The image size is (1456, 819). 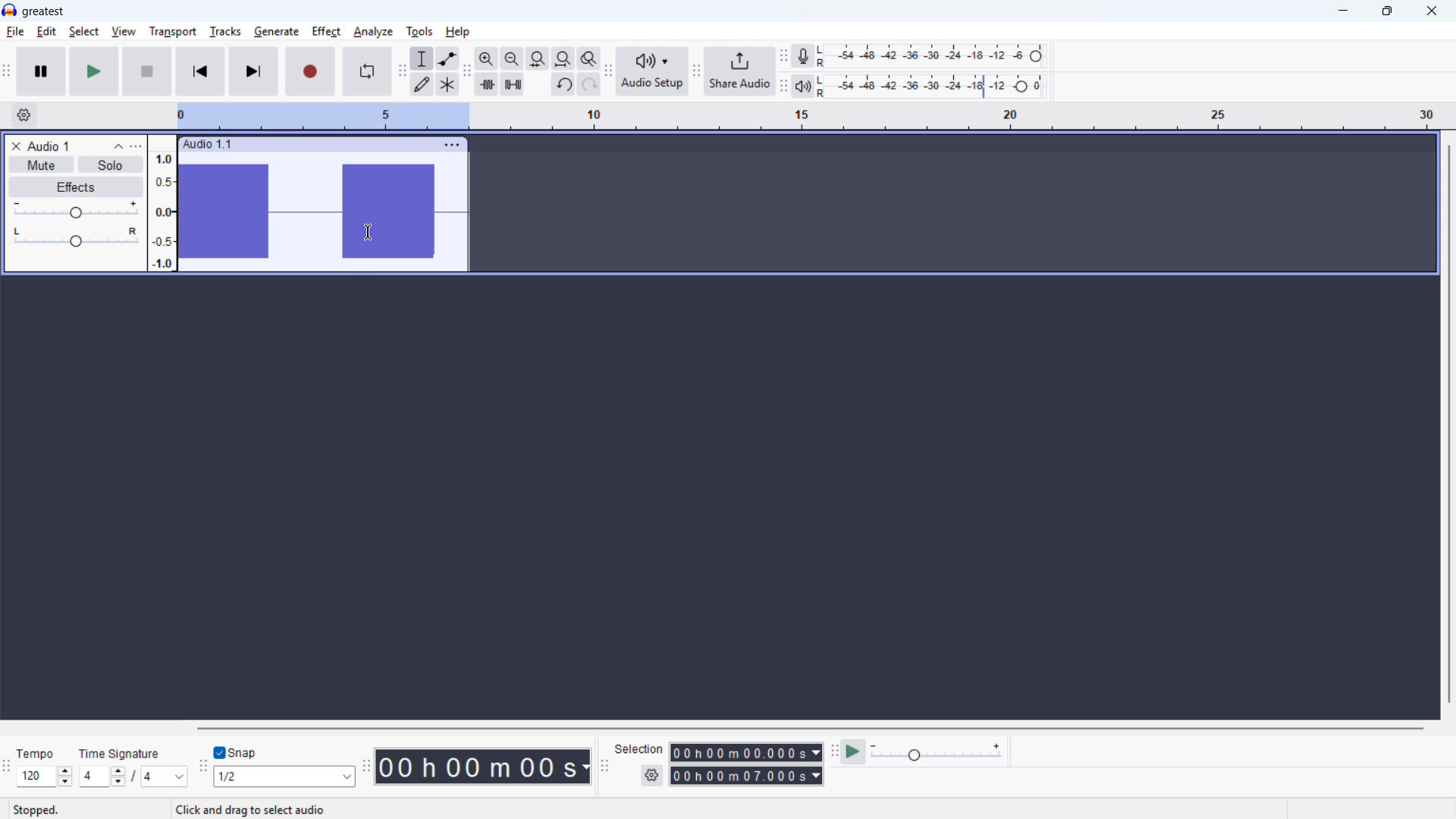 I want to click on Timeline , so click(x=808, y=117).